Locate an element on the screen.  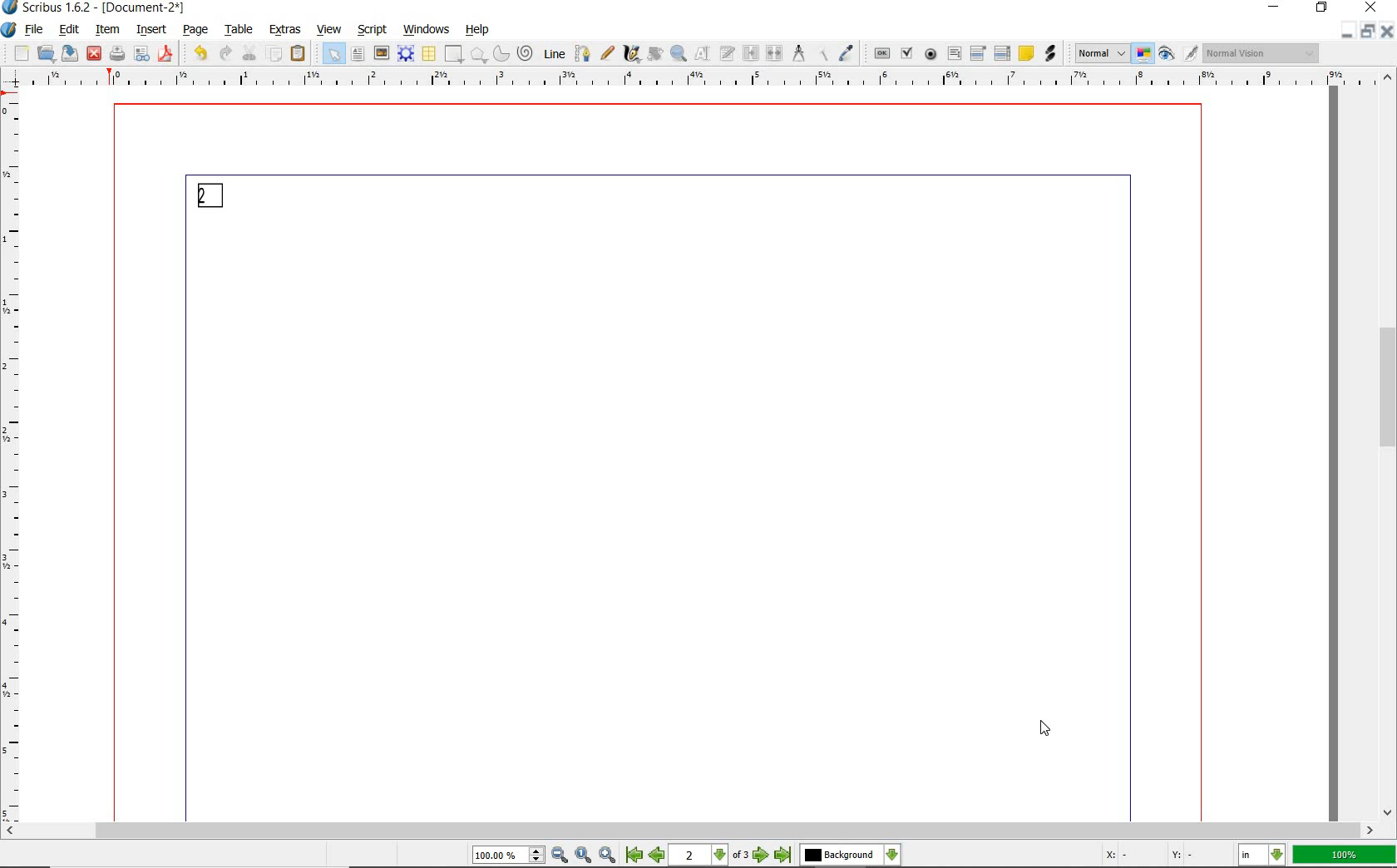
spiral is located at coordinates (525, 52).